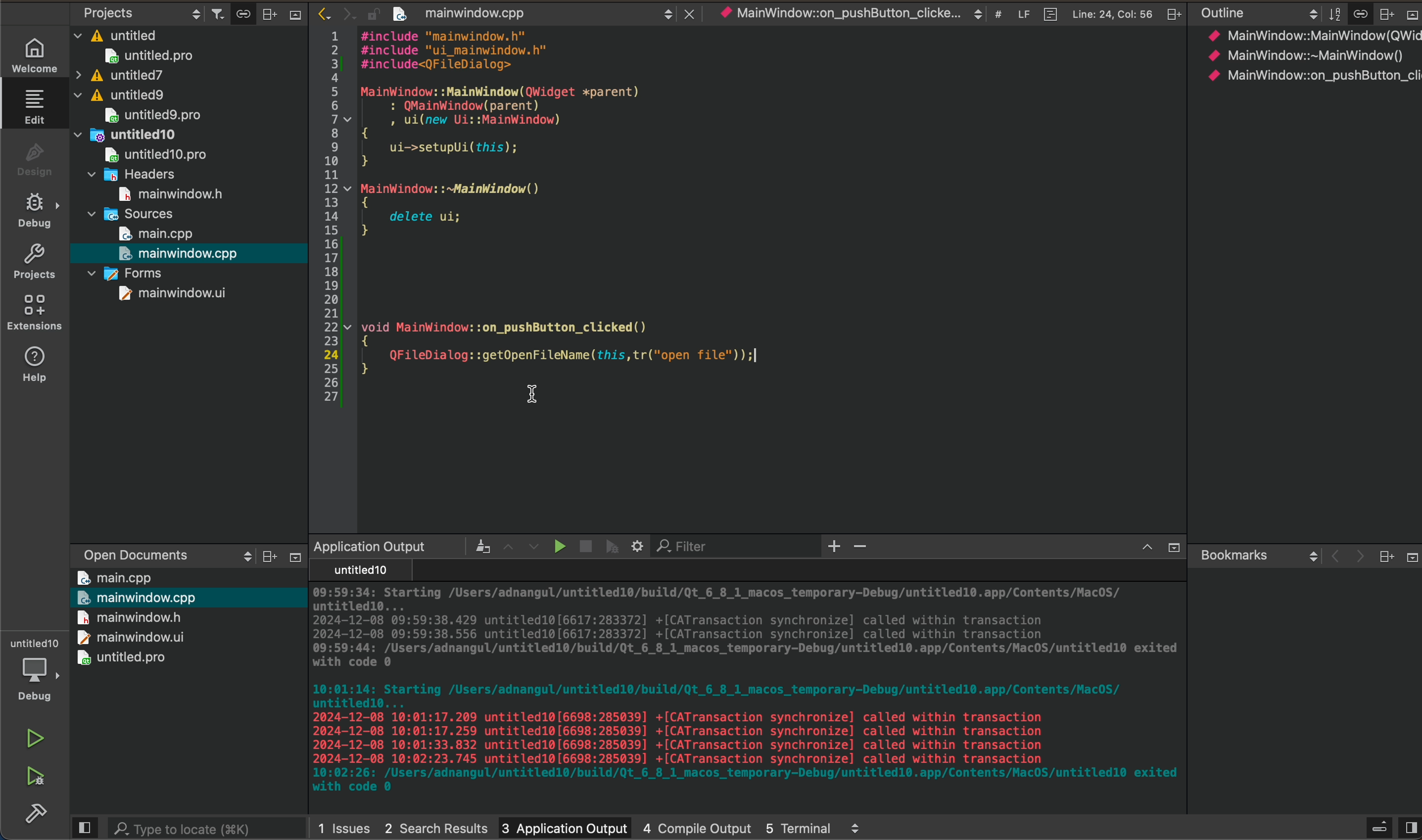 This screenshot has width=1422, height=840. Describe the element at coordinates (157, 234) in the screenshot. I see `main.cpp` at that location.